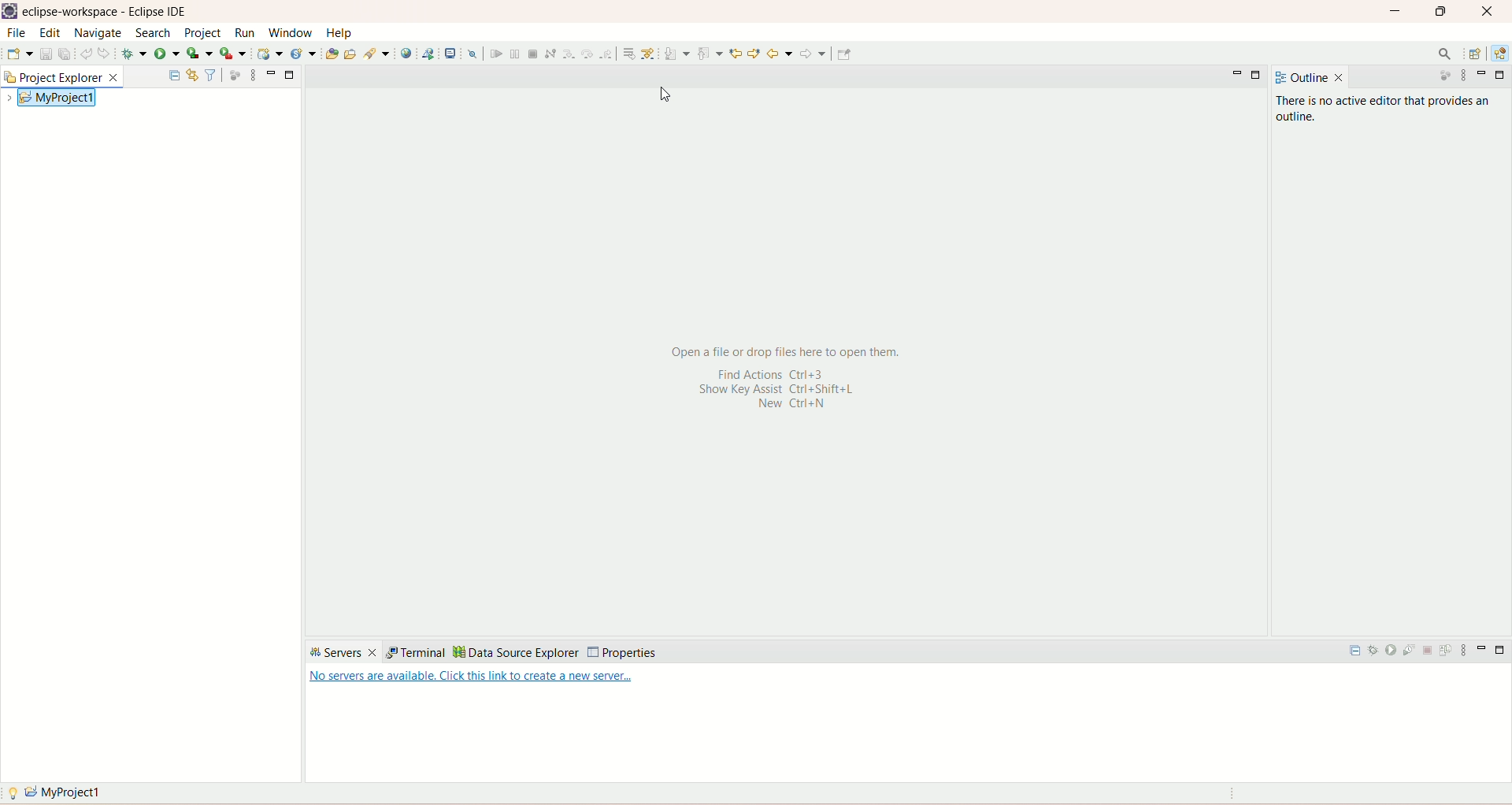  I want to click on create a new java servlet, so click(303, 54).